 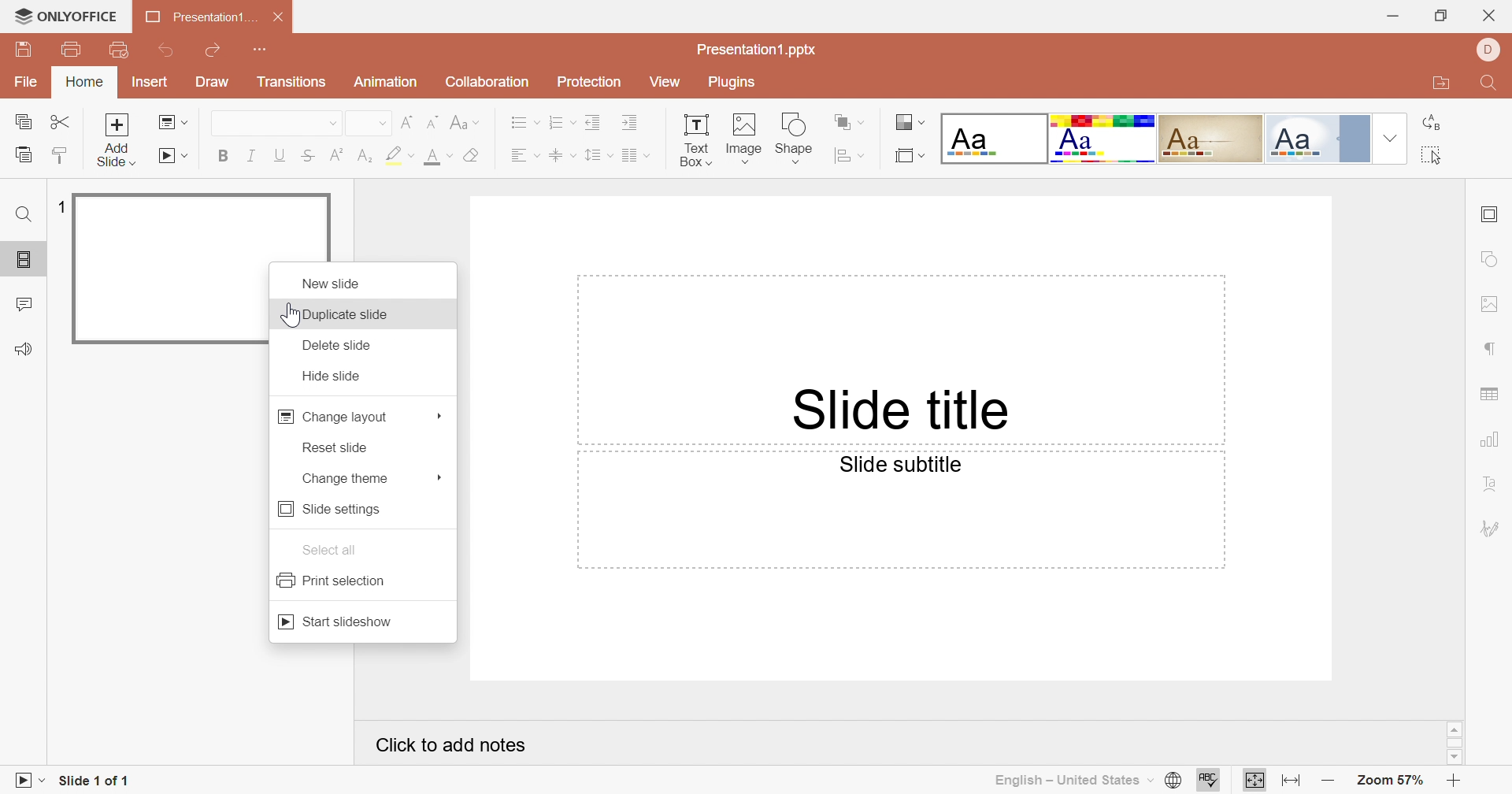 What do you see at coordinates (331, 582) in the screenshot?
I see `Print selection` at bounding box center [331, 582].